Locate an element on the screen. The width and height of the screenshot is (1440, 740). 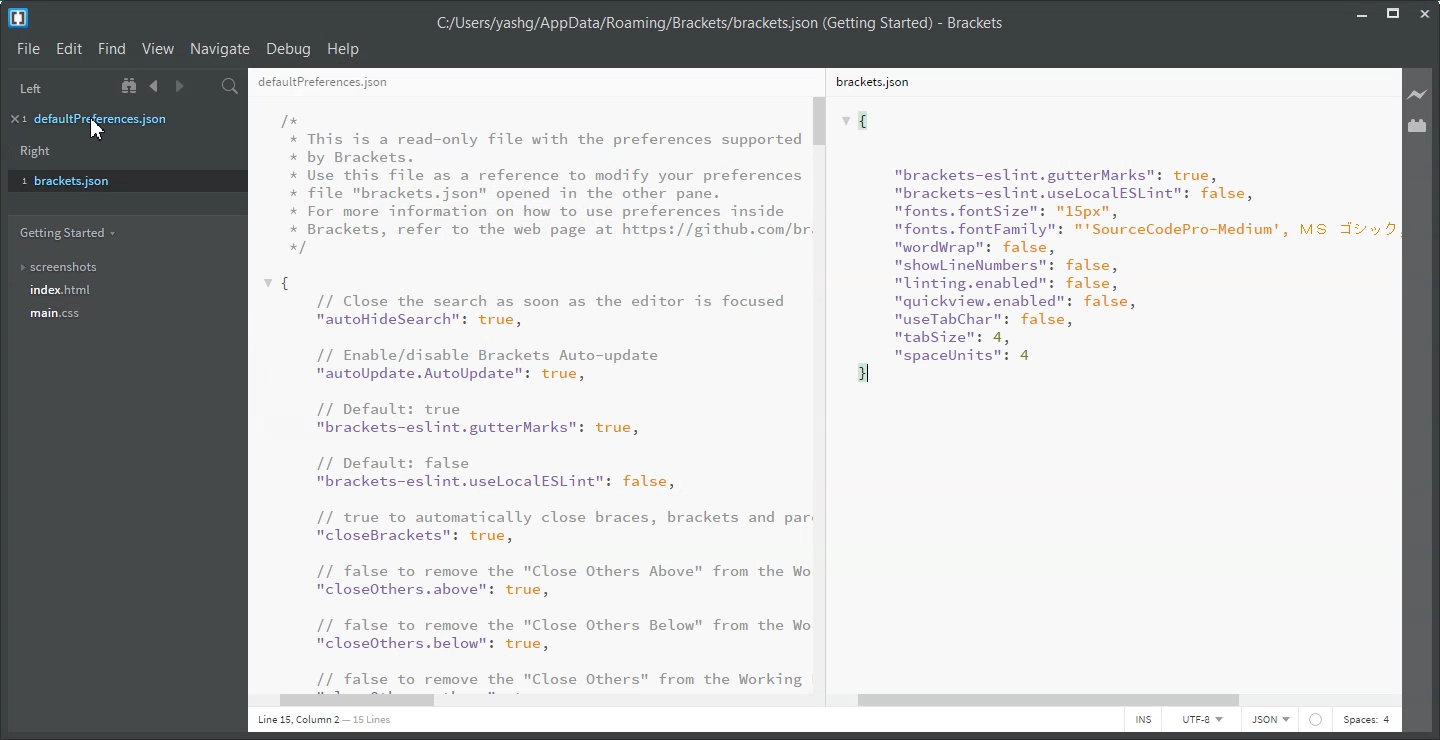
File is located at coordinates (28, 48).